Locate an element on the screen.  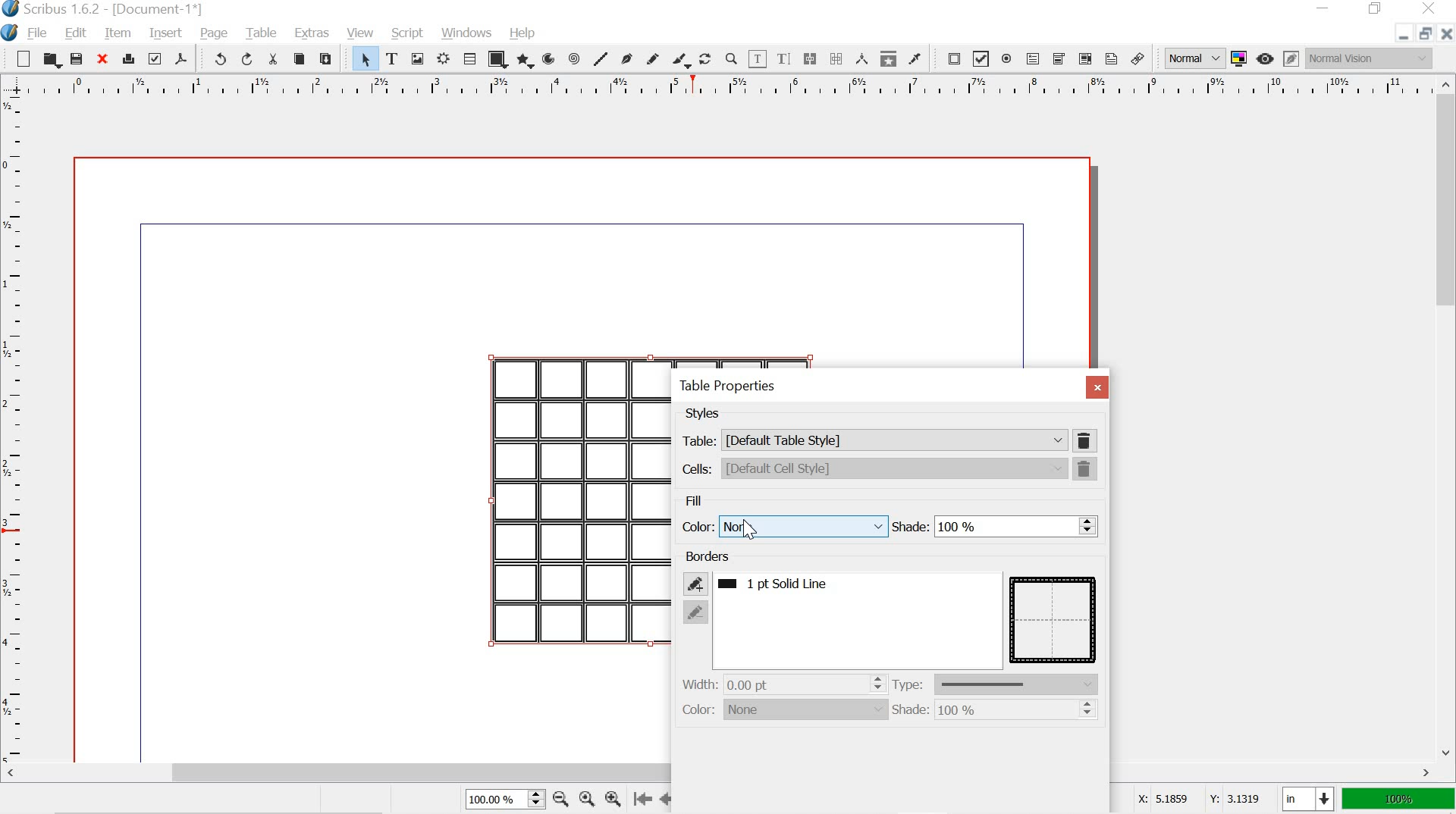
styles is located at coordinates (704, 414).